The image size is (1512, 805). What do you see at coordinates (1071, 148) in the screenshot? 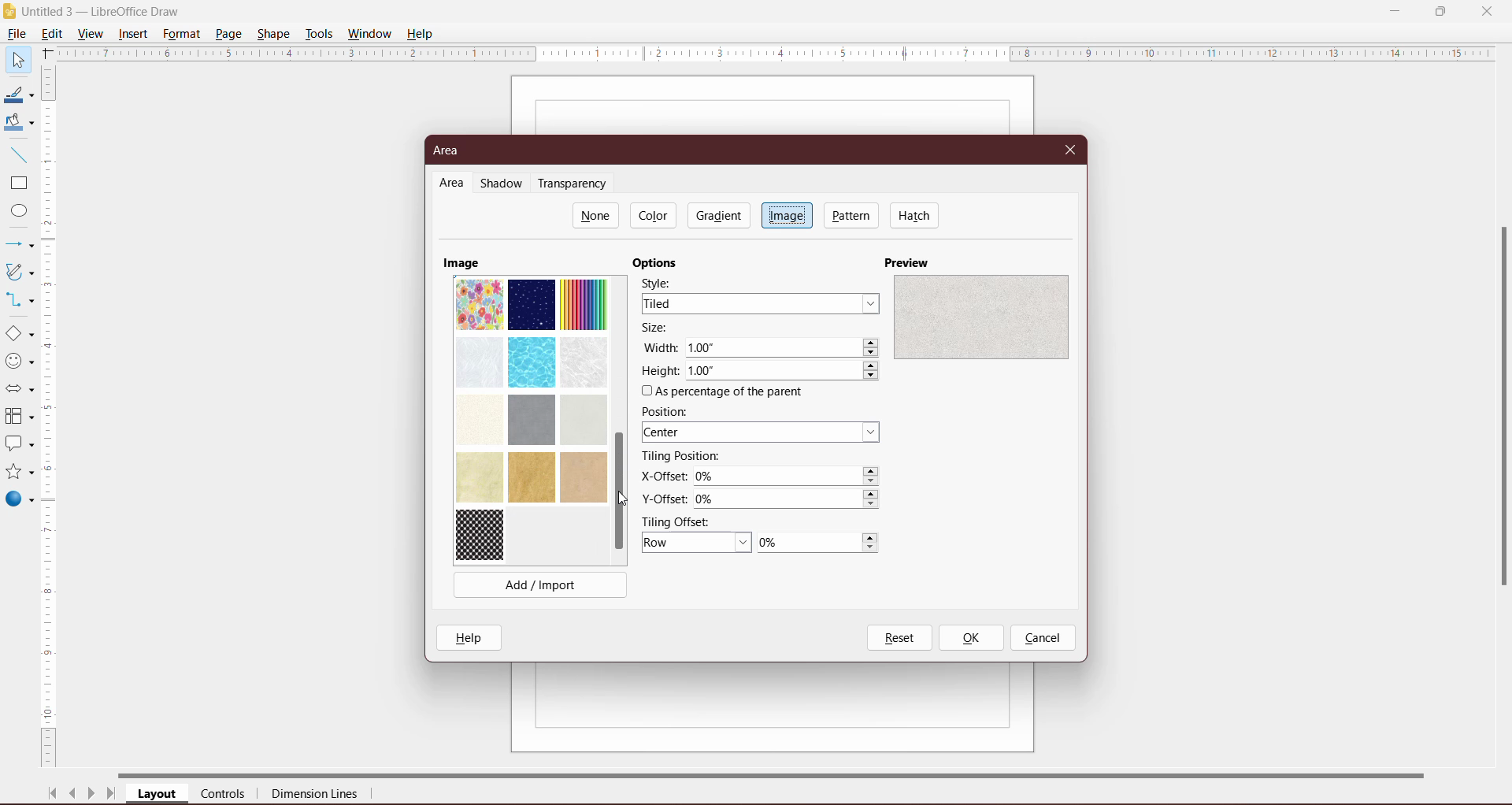
I see `Close` at bounding box center [1071, 148].